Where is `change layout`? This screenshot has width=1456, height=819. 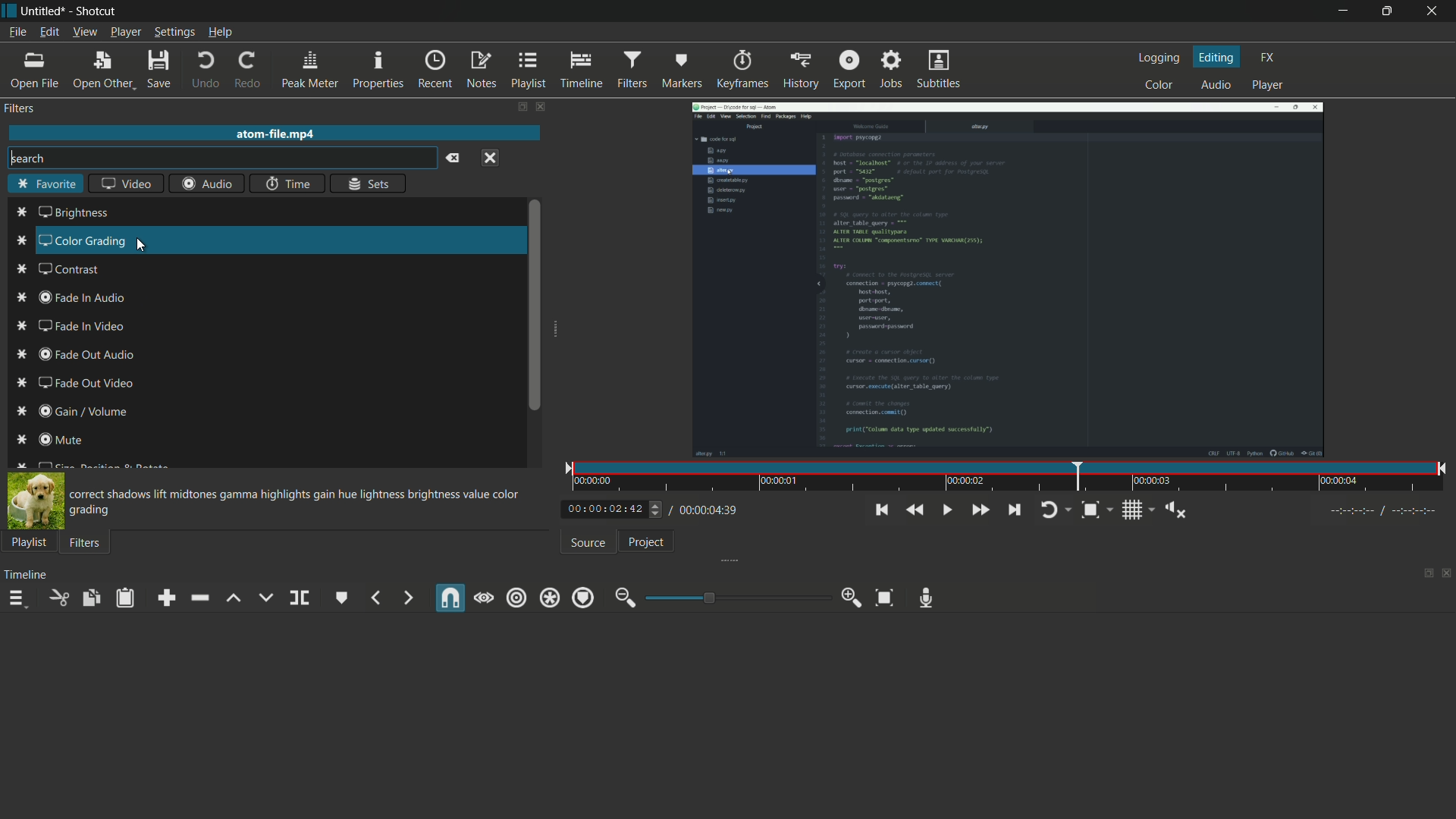 change layout is located at coordinates (1423, 574).